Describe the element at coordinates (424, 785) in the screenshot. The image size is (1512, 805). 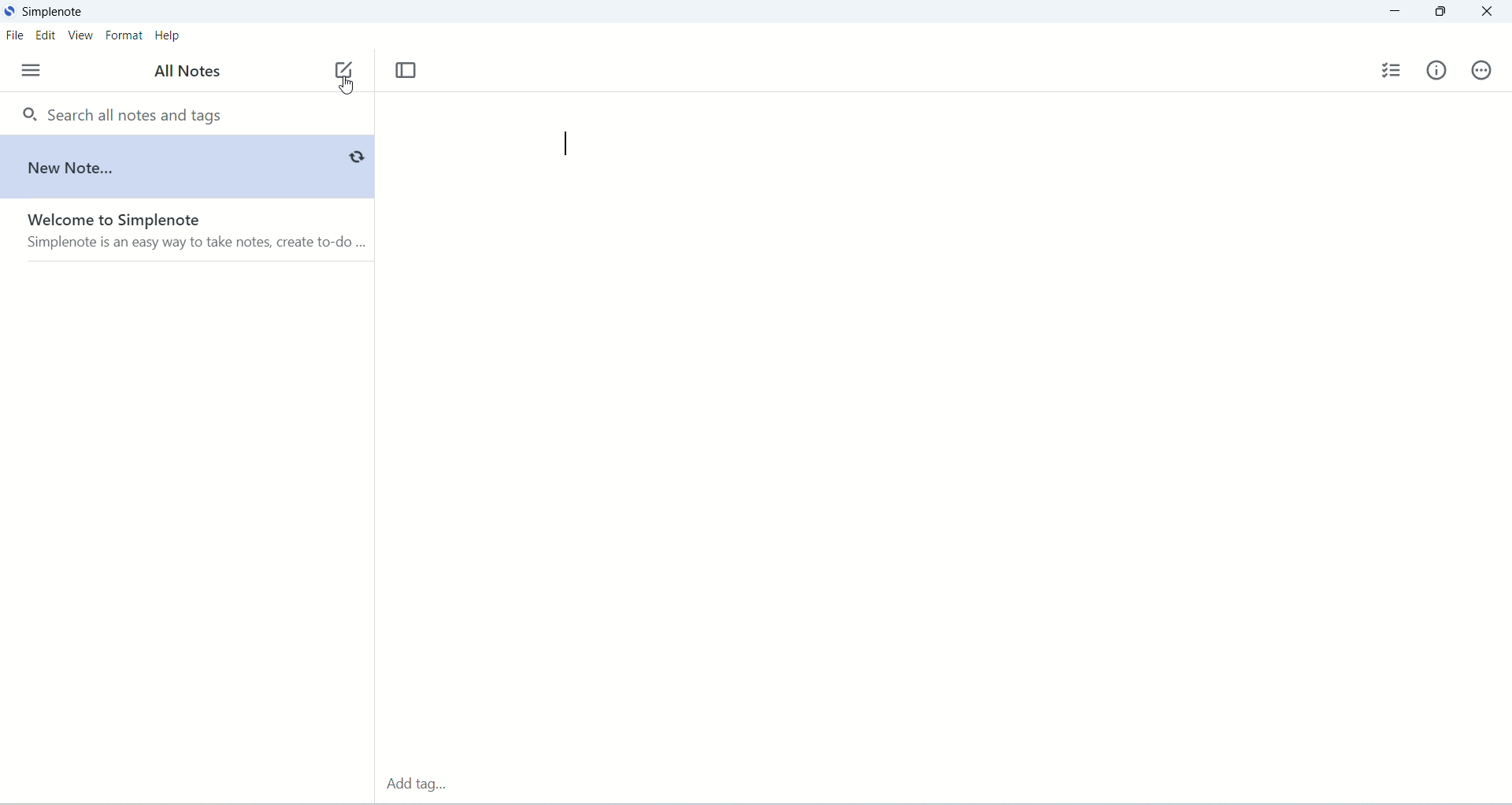
I see `add tag` at that location.